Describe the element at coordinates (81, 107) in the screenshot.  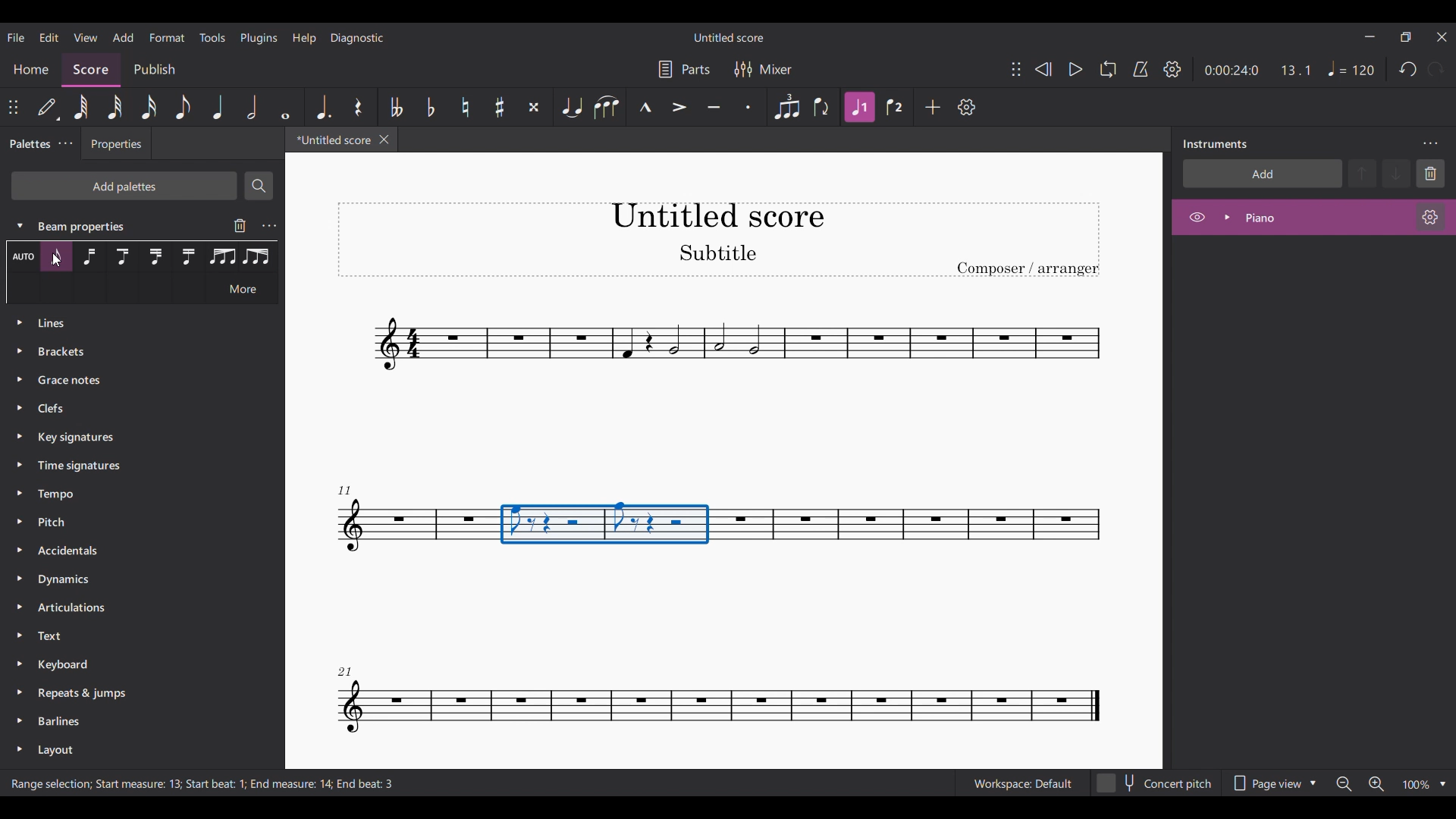
I see `64th note` at that location.